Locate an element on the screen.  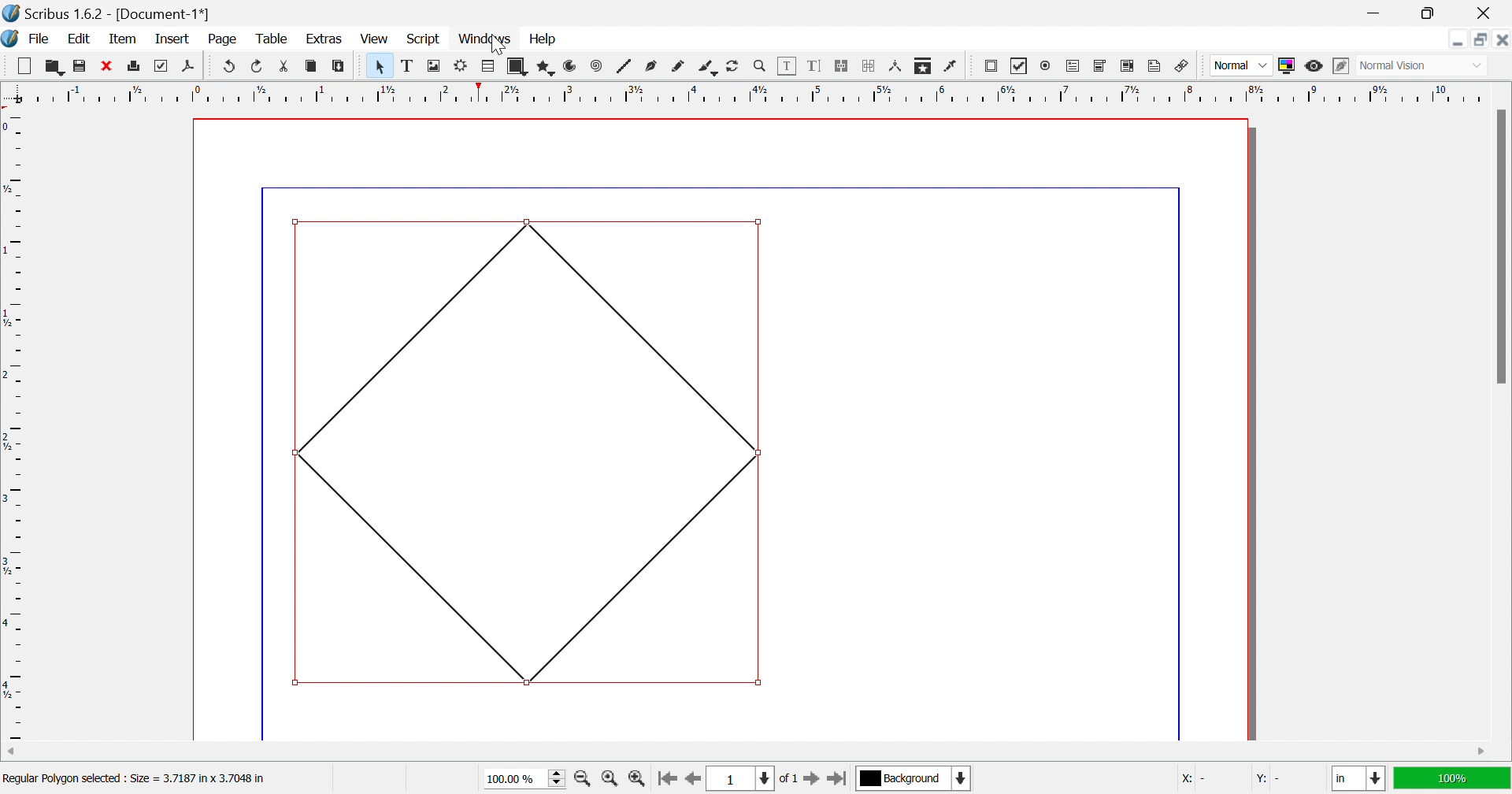
Help is located at coordinates (543, 39).